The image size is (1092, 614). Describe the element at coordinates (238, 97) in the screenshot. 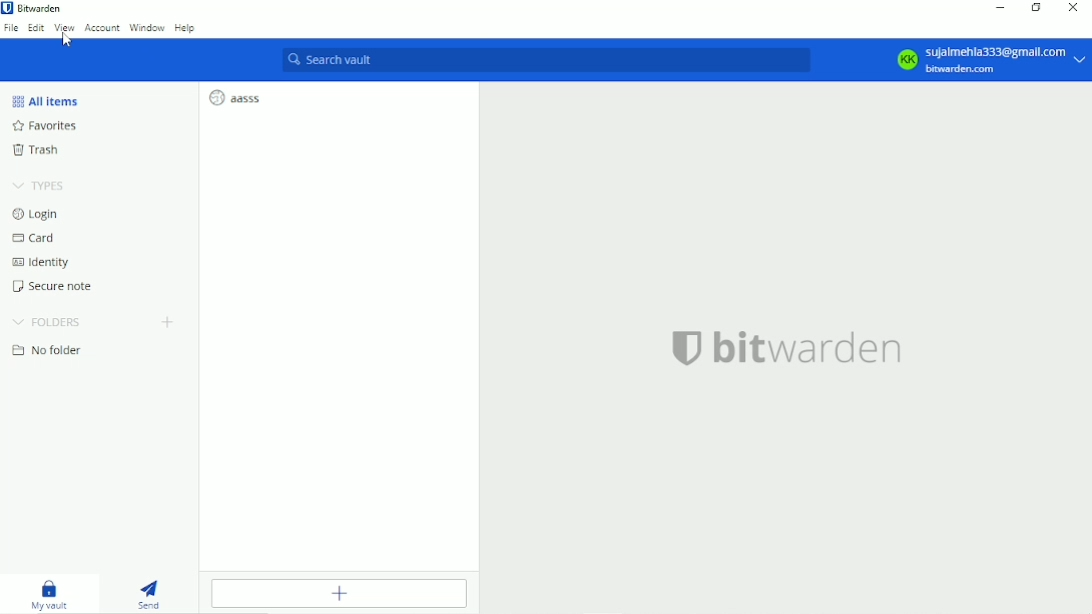

I see `aasss login entry` at that location.